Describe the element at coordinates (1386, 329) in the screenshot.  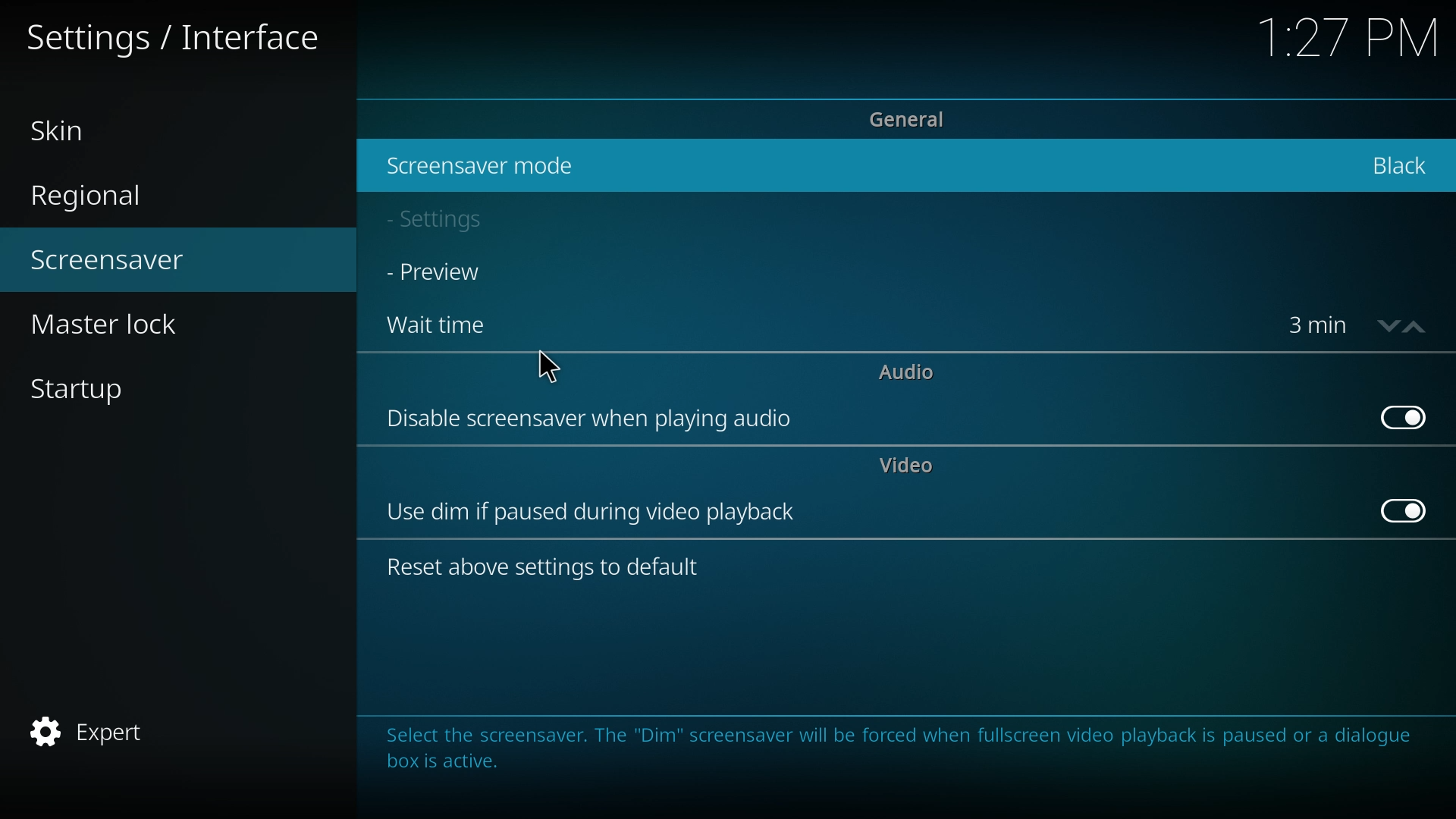
I see `decrease time` at that location.